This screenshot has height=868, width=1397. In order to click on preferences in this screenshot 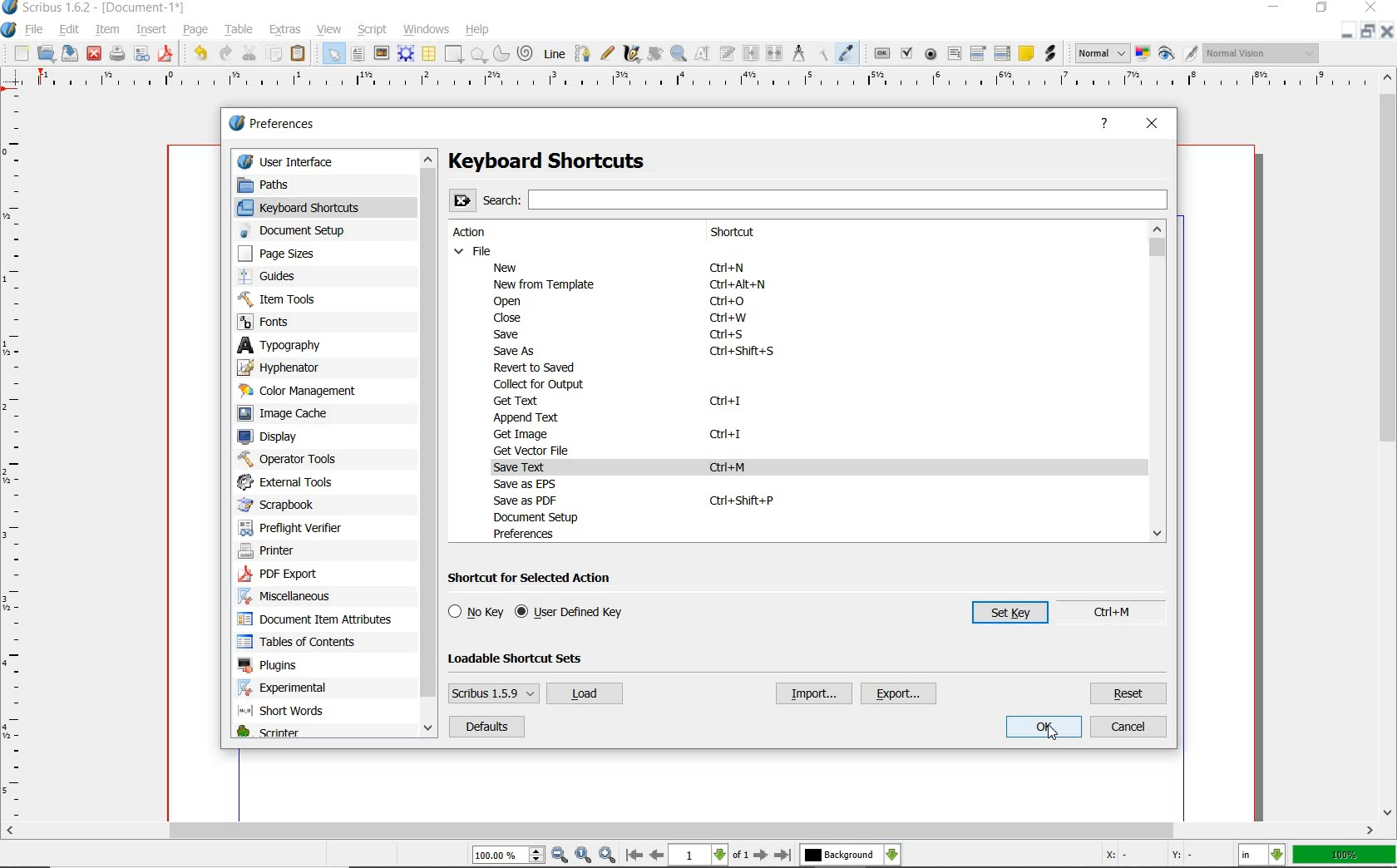, I will do `click(529, 534)`.